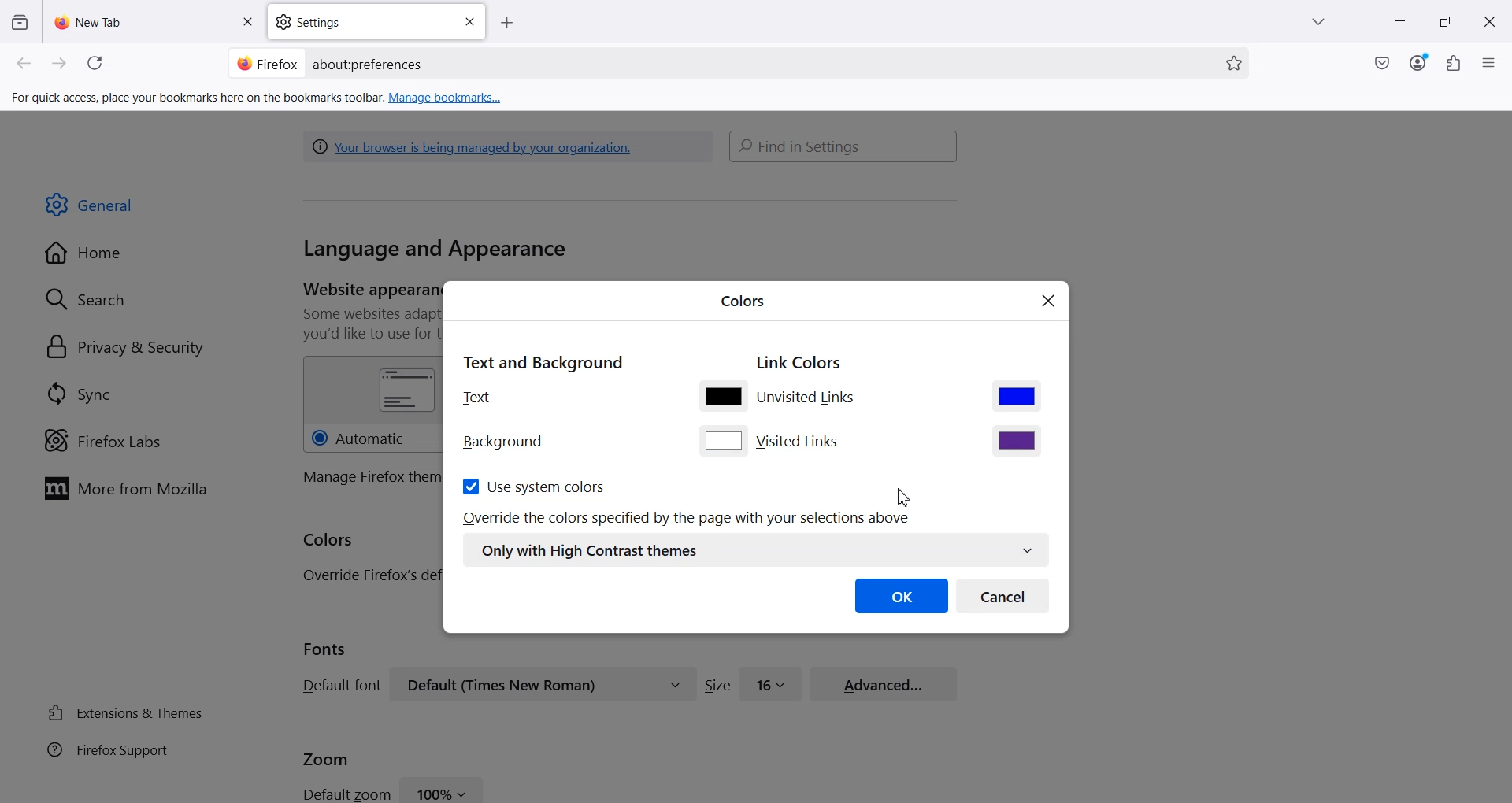  Describe the element at coordinates (736, 63) in the screenshot. I see `Search Bar` at that location.